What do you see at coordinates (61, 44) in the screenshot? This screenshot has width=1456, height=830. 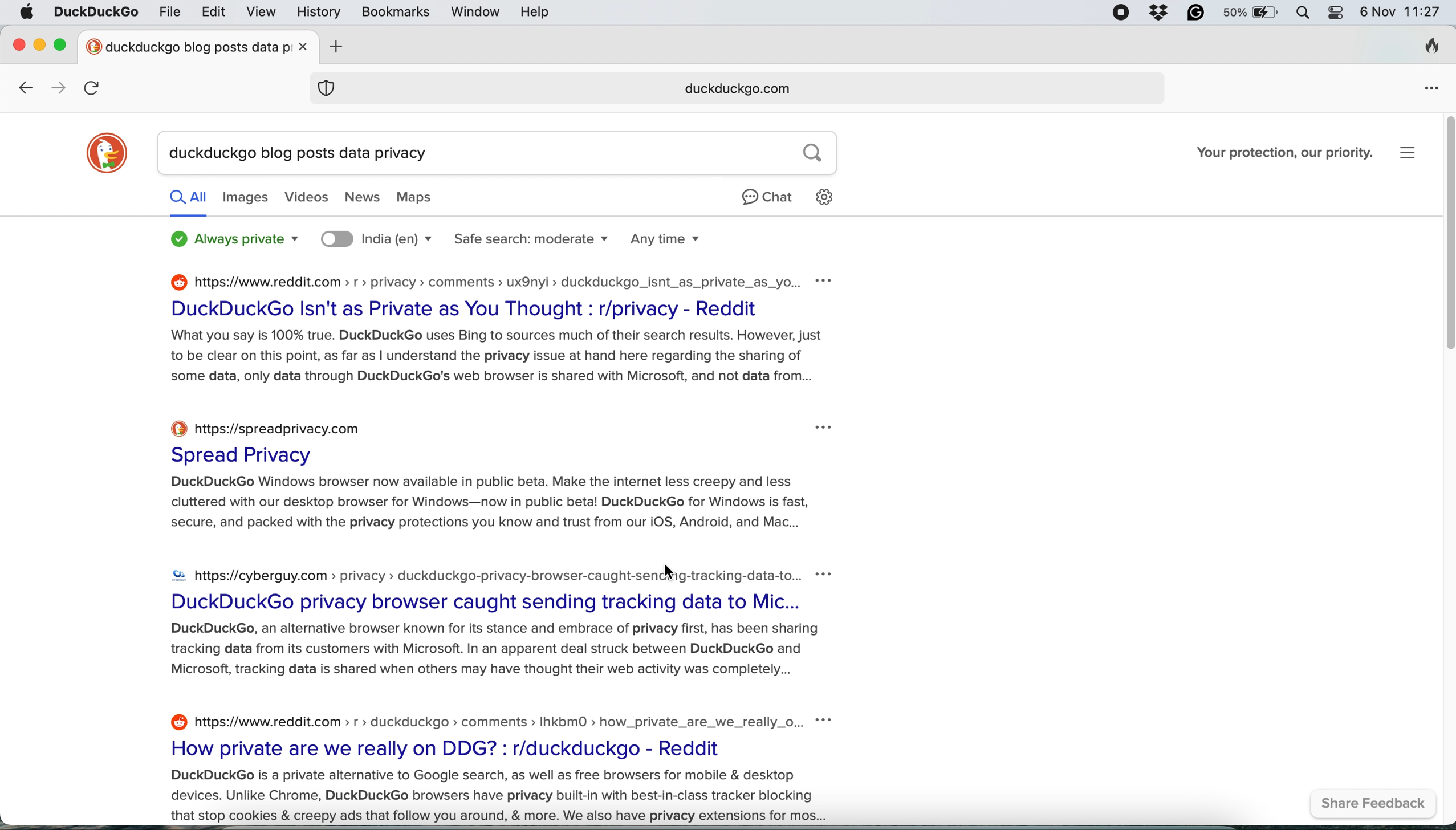 I see `maximise` at bounding box center [61, 44].